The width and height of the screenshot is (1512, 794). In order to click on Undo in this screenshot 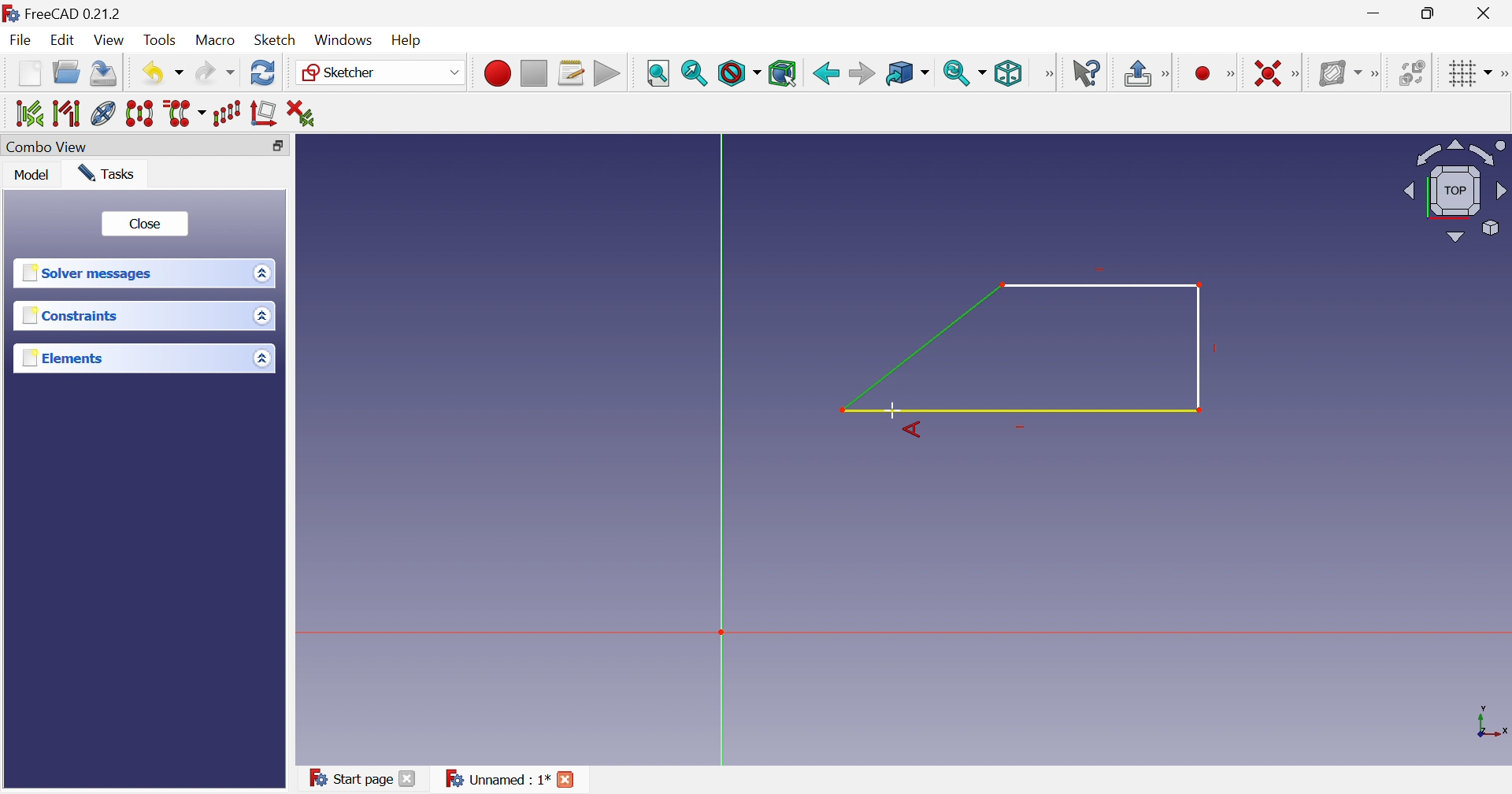, I will do `click(150, 72)`.